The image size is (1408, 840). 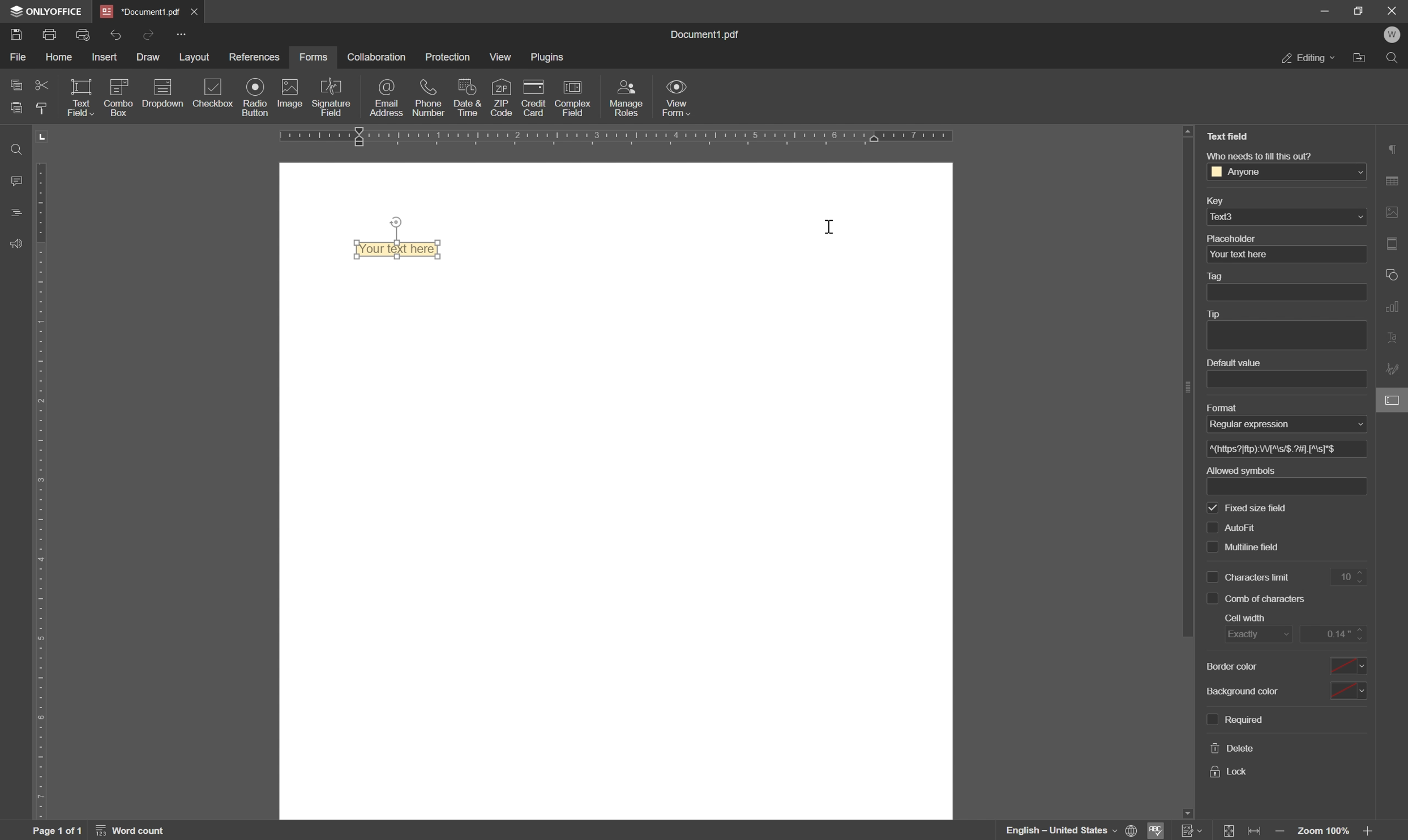 What do you see at coordinates (830, 226) in the screenshot?
I see `cursor` at bounding box center [830, 226].